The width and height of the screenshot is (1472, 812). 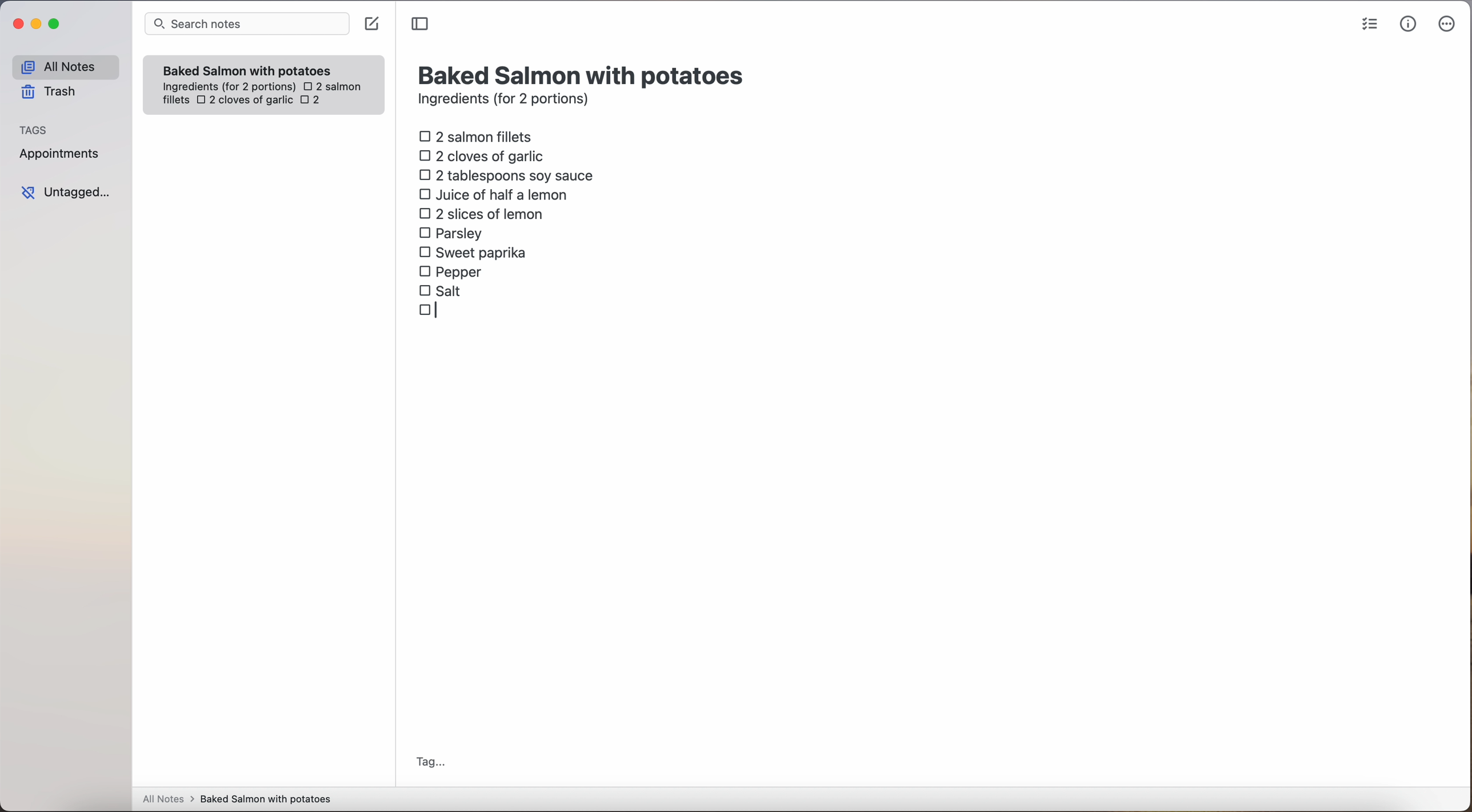 I want to click on Baked Salmon with potatoes, so click(x=247, y=68).